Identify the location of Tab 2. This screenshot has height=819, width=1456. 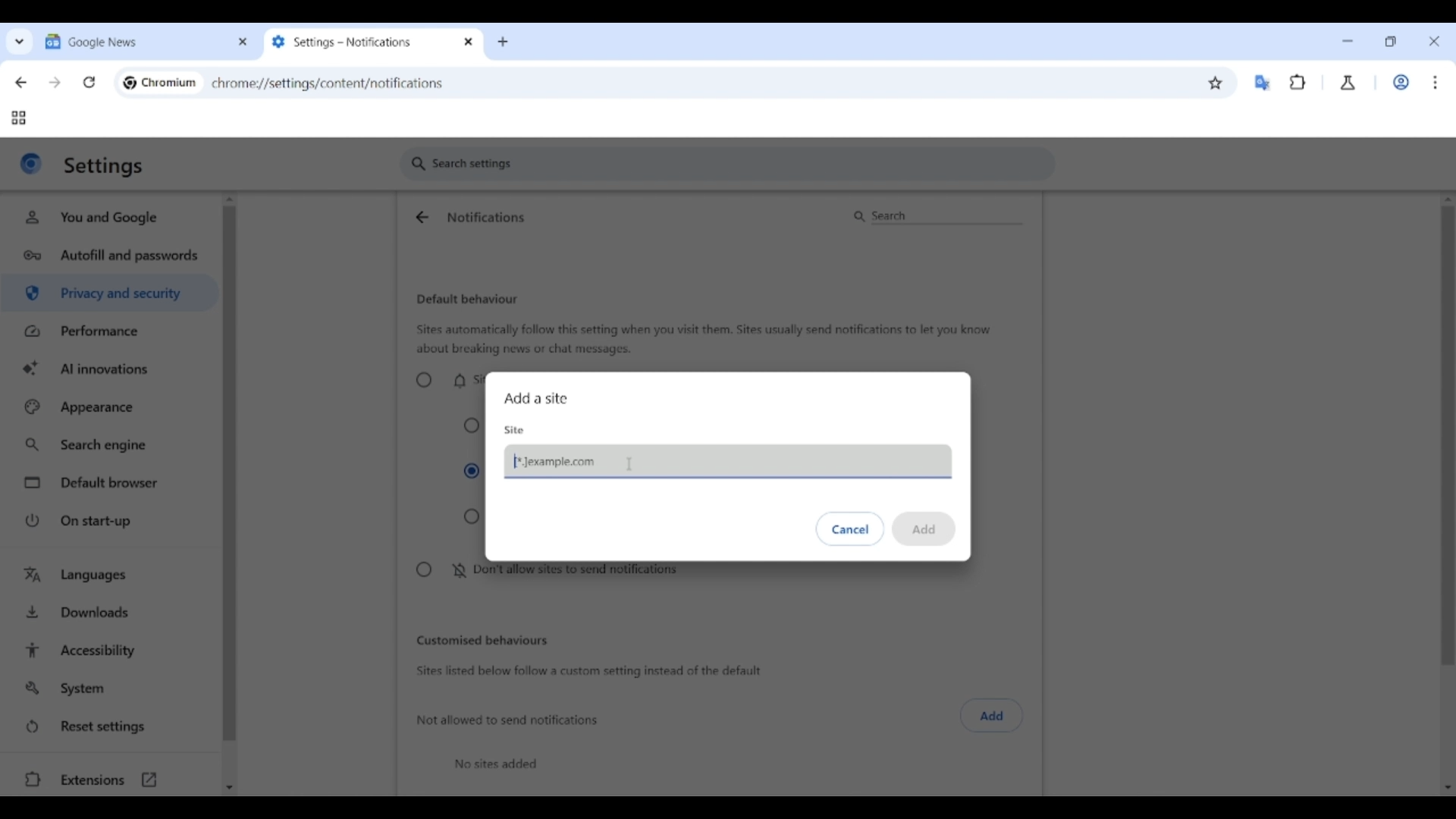
(361, 42).